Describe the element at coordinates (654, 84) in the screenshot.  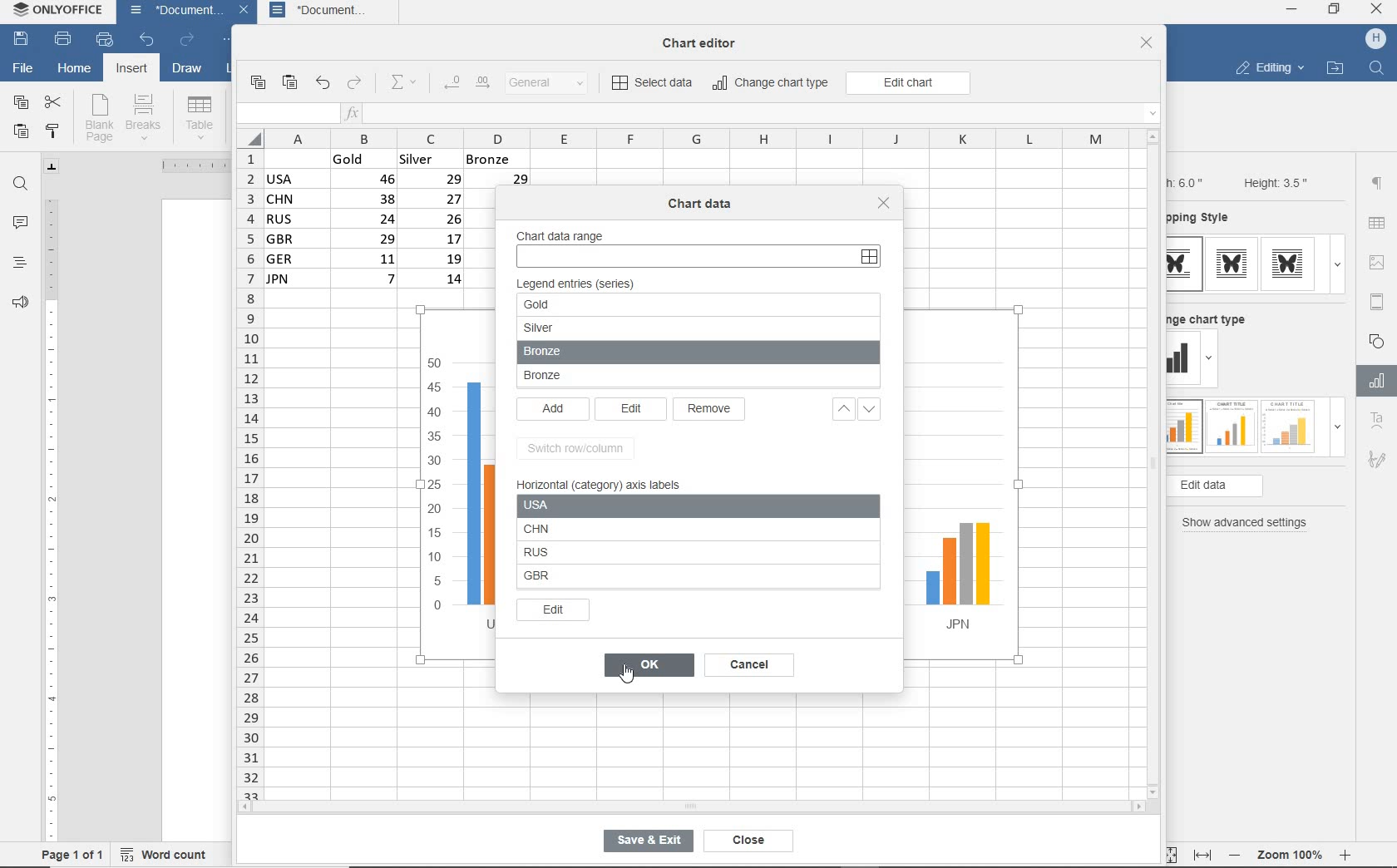
I see `select data` at that location.